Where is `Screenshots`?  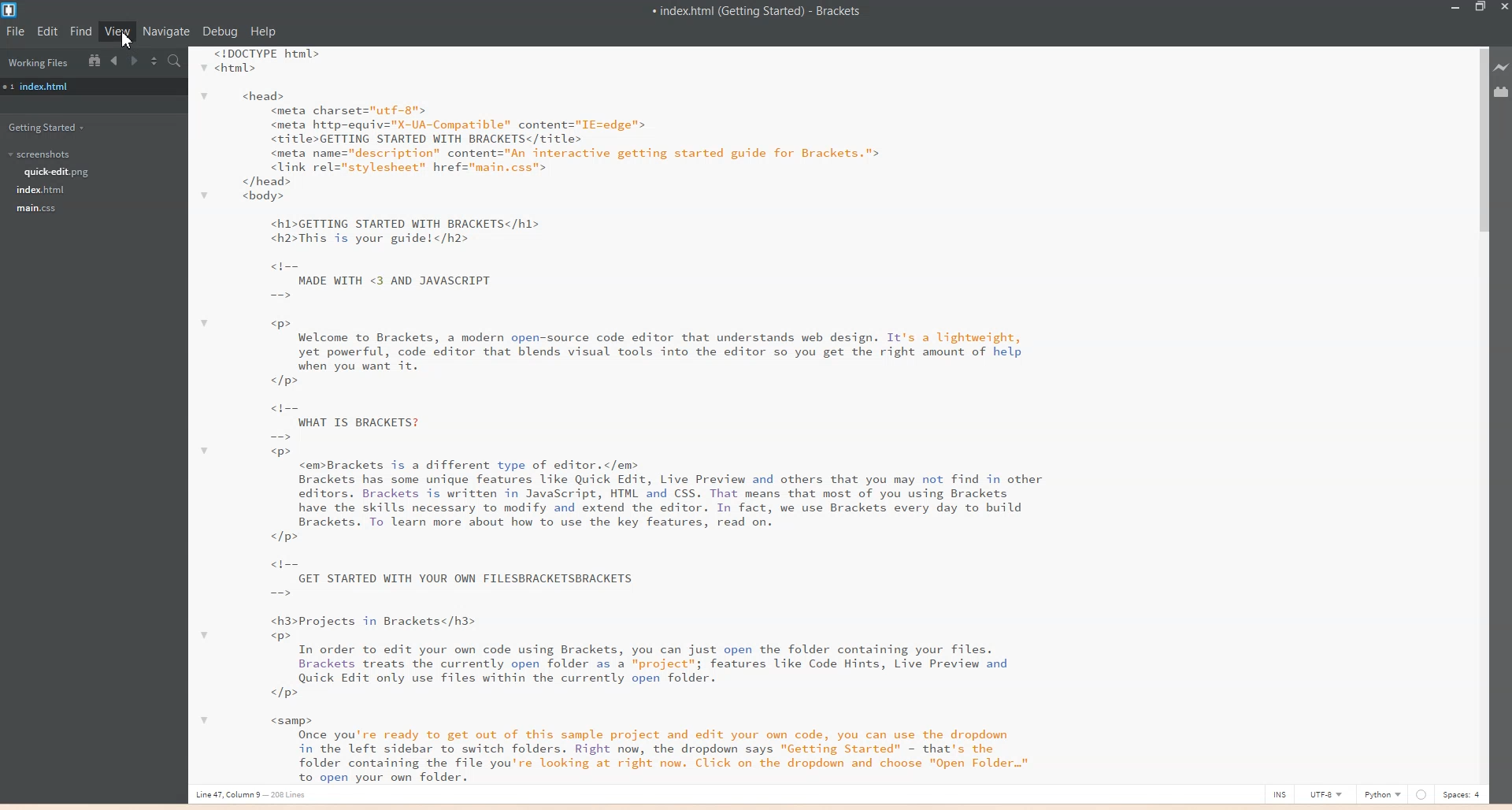 Screenshots is located at coordinates (40, 154).